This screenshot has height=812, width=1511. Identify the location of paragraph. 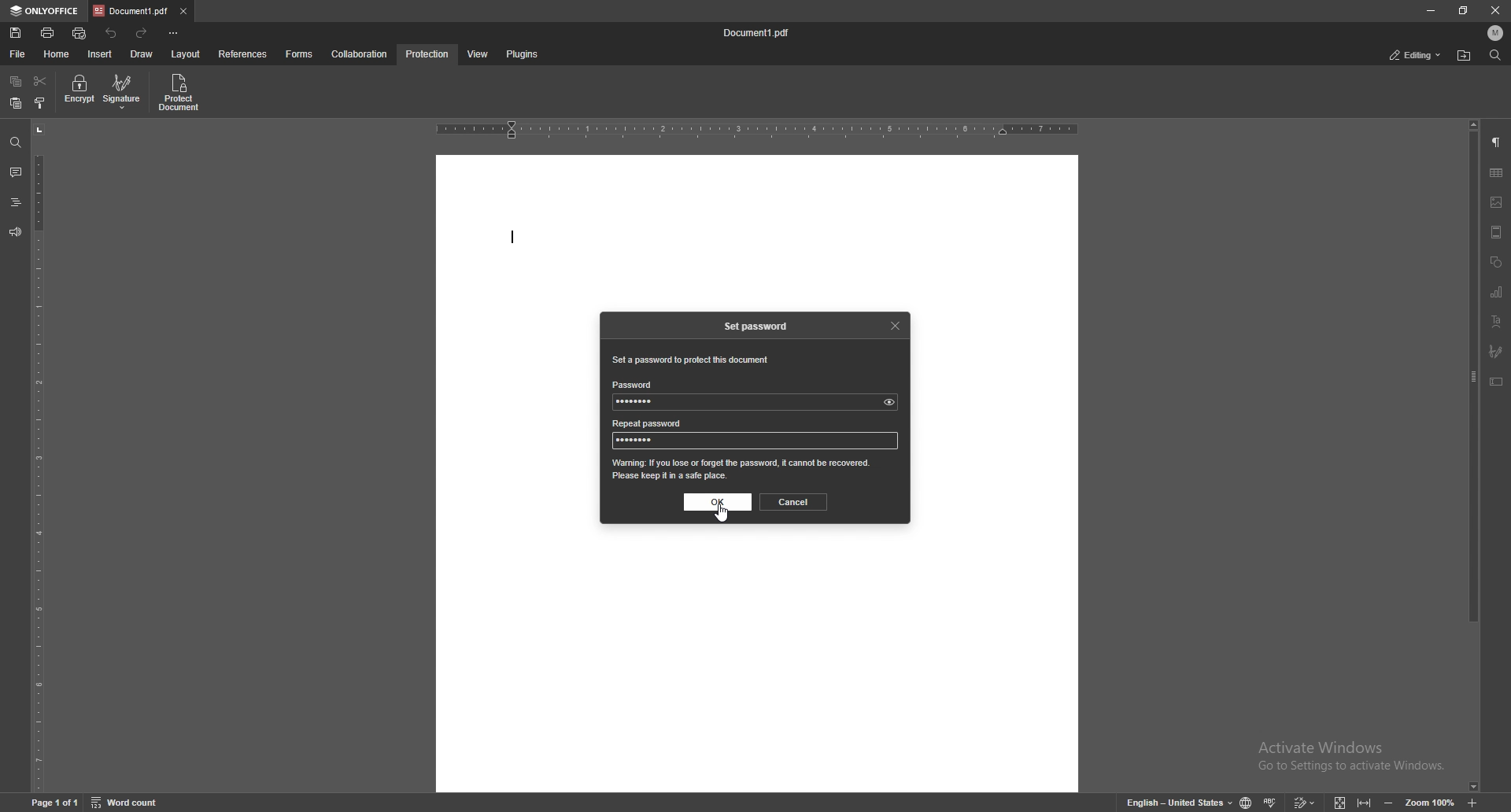
(1495, 143).